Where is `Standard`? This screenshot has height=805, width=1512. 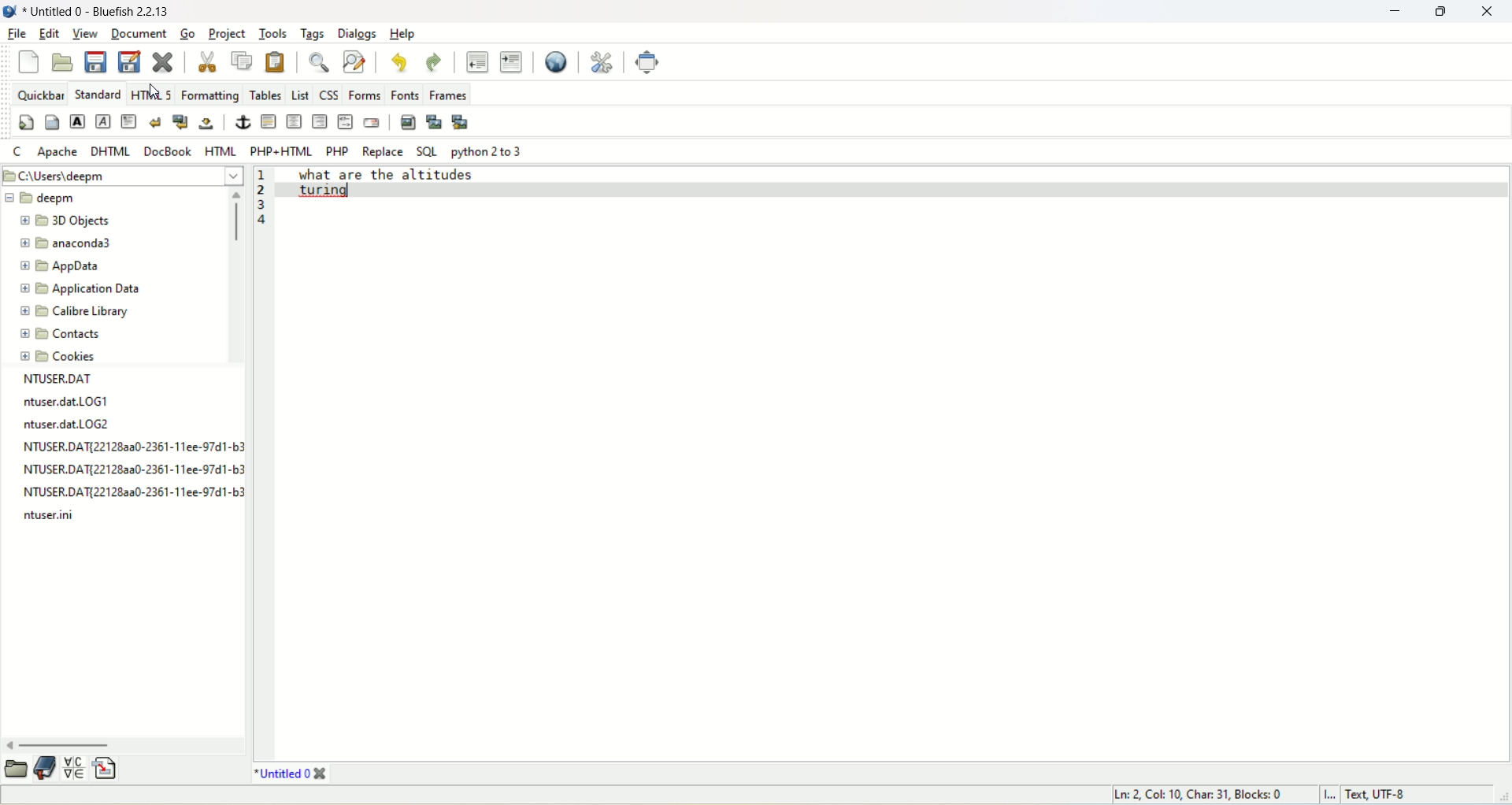
Standard is located at coordinates (98, 94).